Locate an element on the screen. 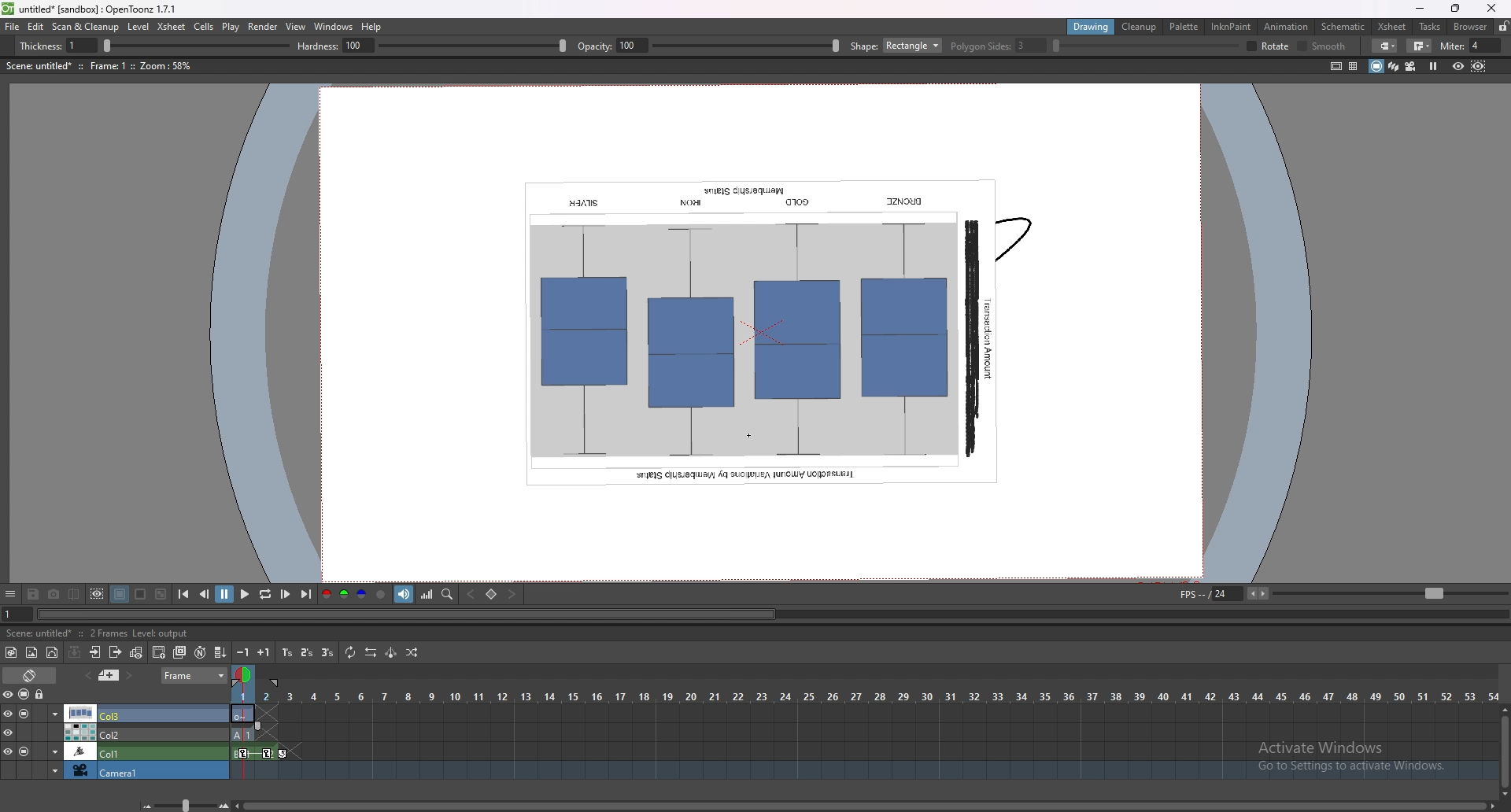  zoom is located at coordinates (185, 803).